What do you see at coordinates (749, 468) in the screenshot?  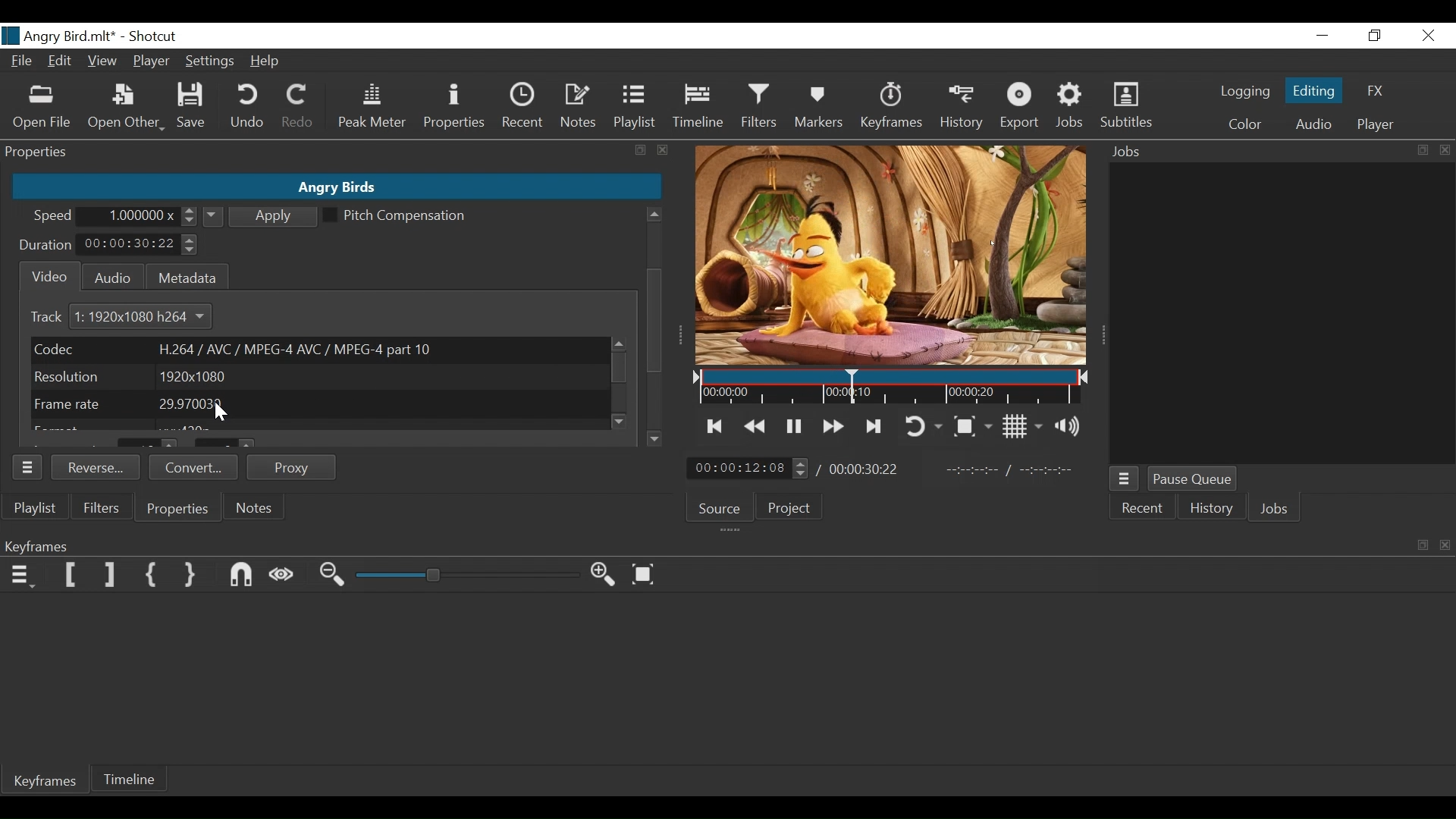 I see `Current position` at bounding box center [749, 468].